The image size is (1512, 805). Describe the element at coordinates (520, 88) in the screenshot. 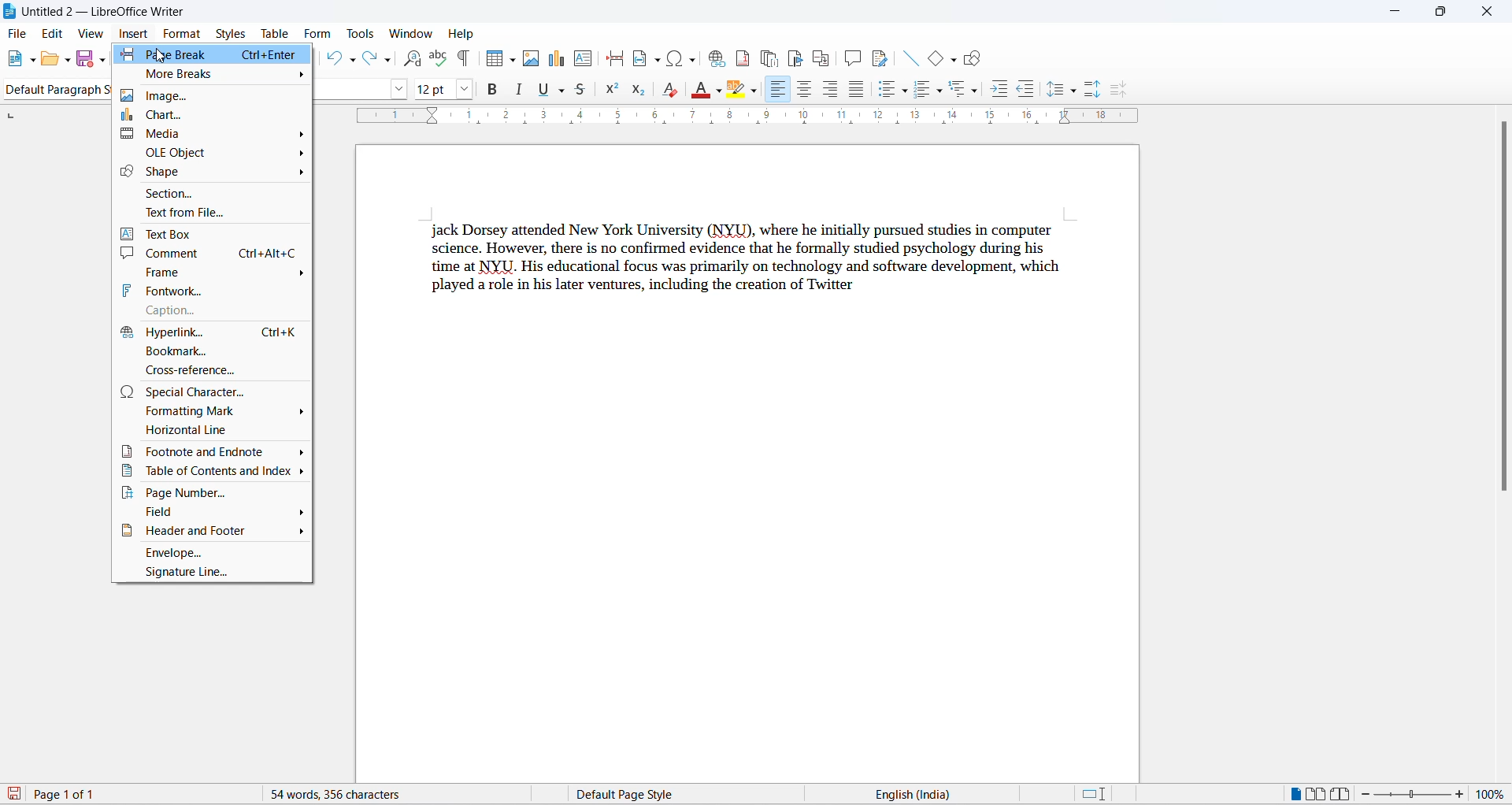

I see `italics` at that location.